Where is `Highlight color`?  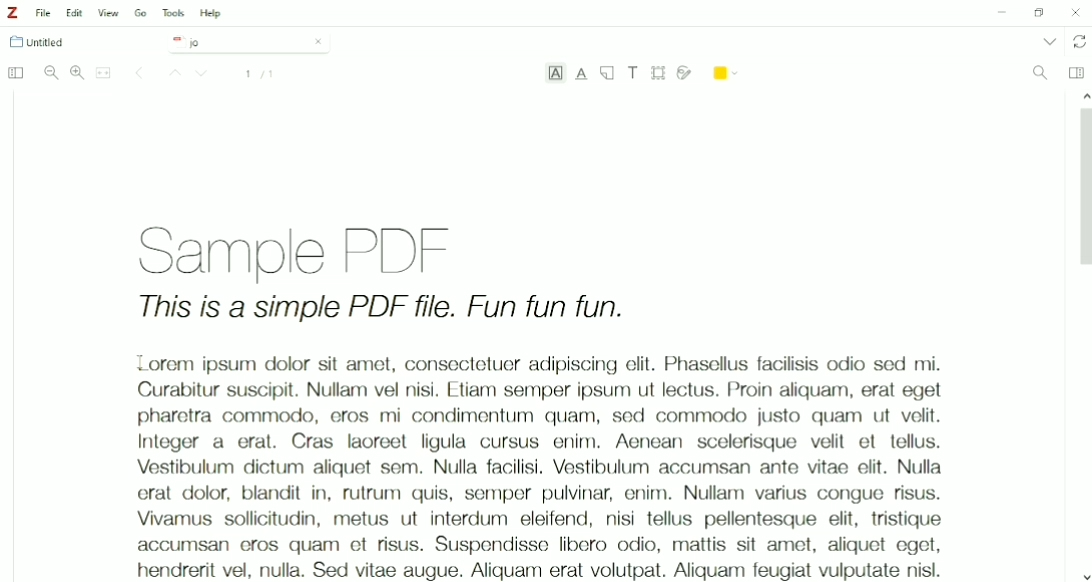 Highlight color is located at coordinates (727, 71).